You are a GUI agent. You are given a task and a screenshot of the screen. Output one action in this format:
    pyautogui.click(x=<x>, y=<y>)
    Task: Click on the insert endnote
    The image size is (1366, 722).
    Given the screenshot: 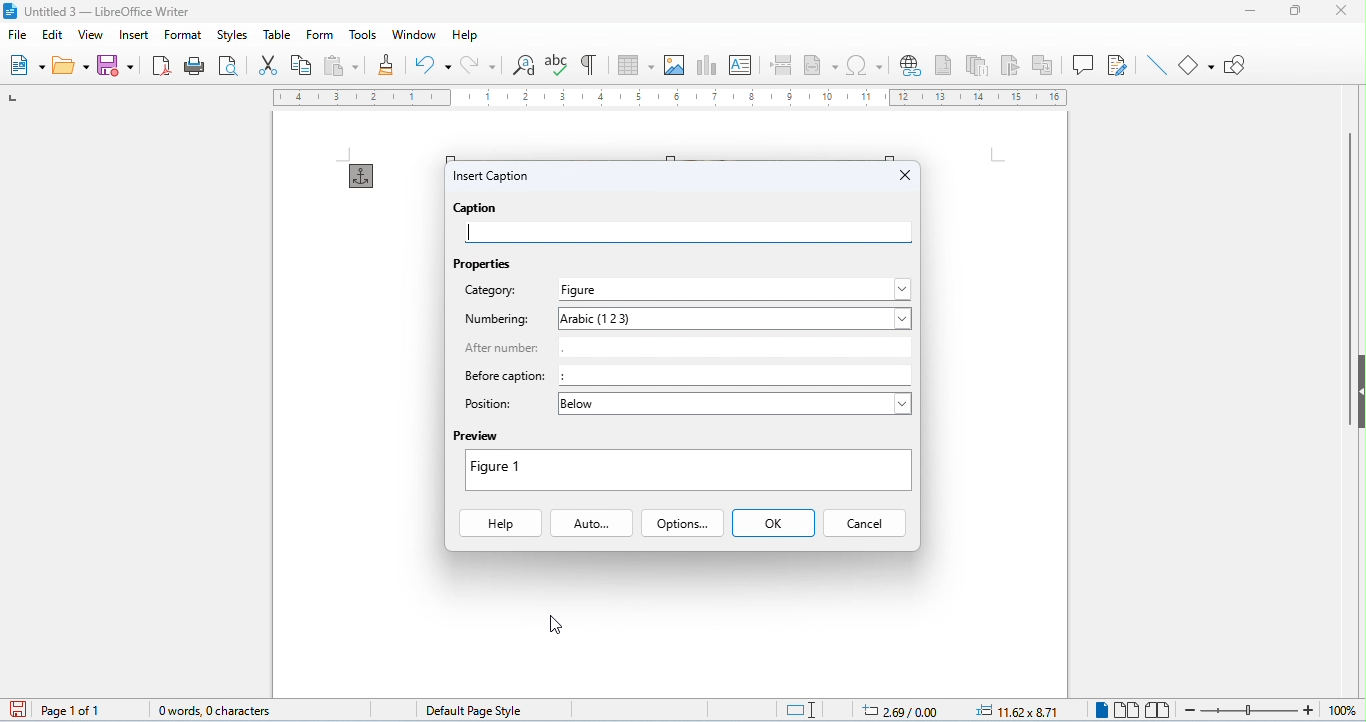 What is the action you would take?
    pyautogui.click(x=981, y=66)
    